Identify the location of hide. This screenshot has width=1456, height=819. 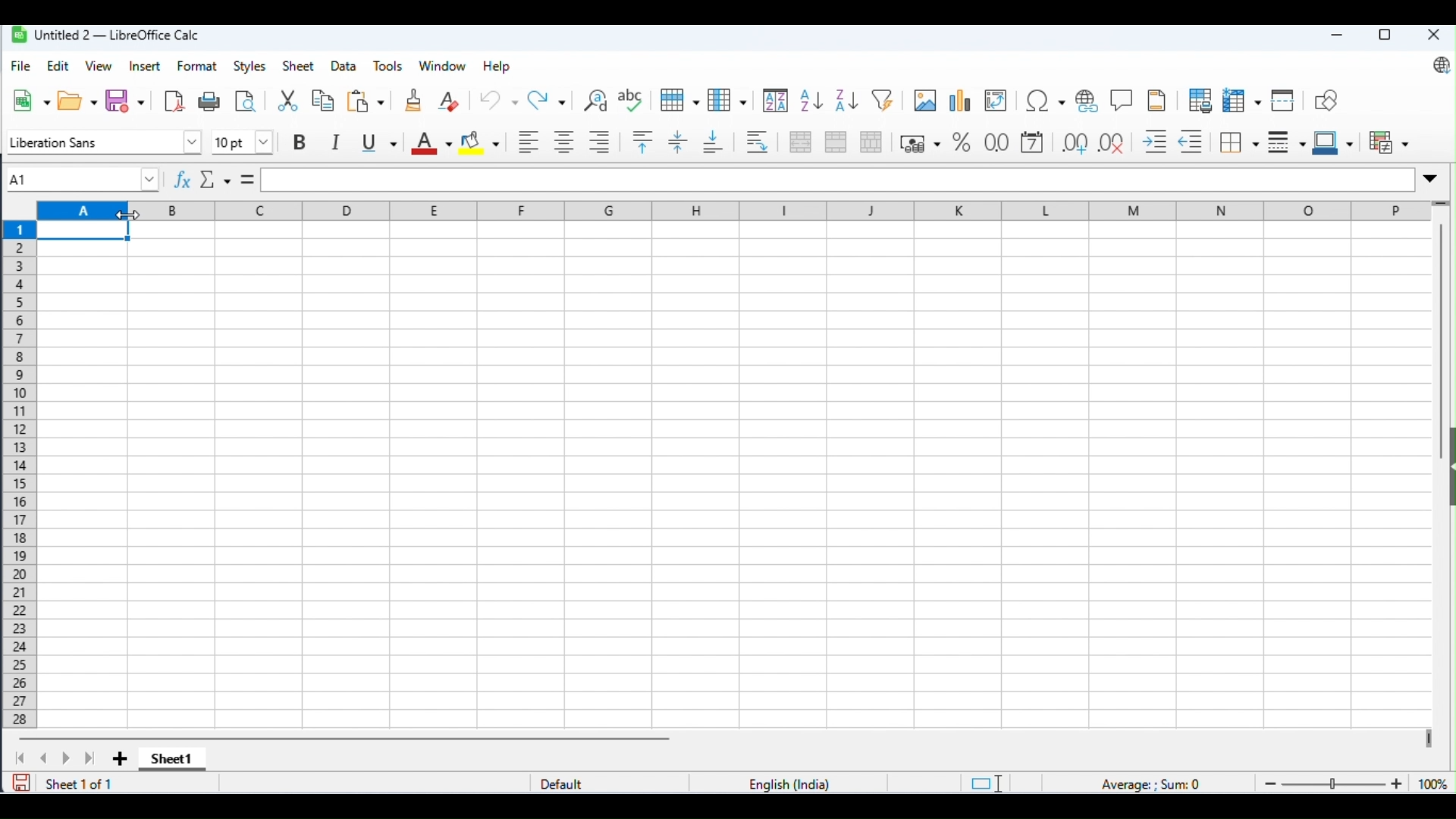
(1447, 469).